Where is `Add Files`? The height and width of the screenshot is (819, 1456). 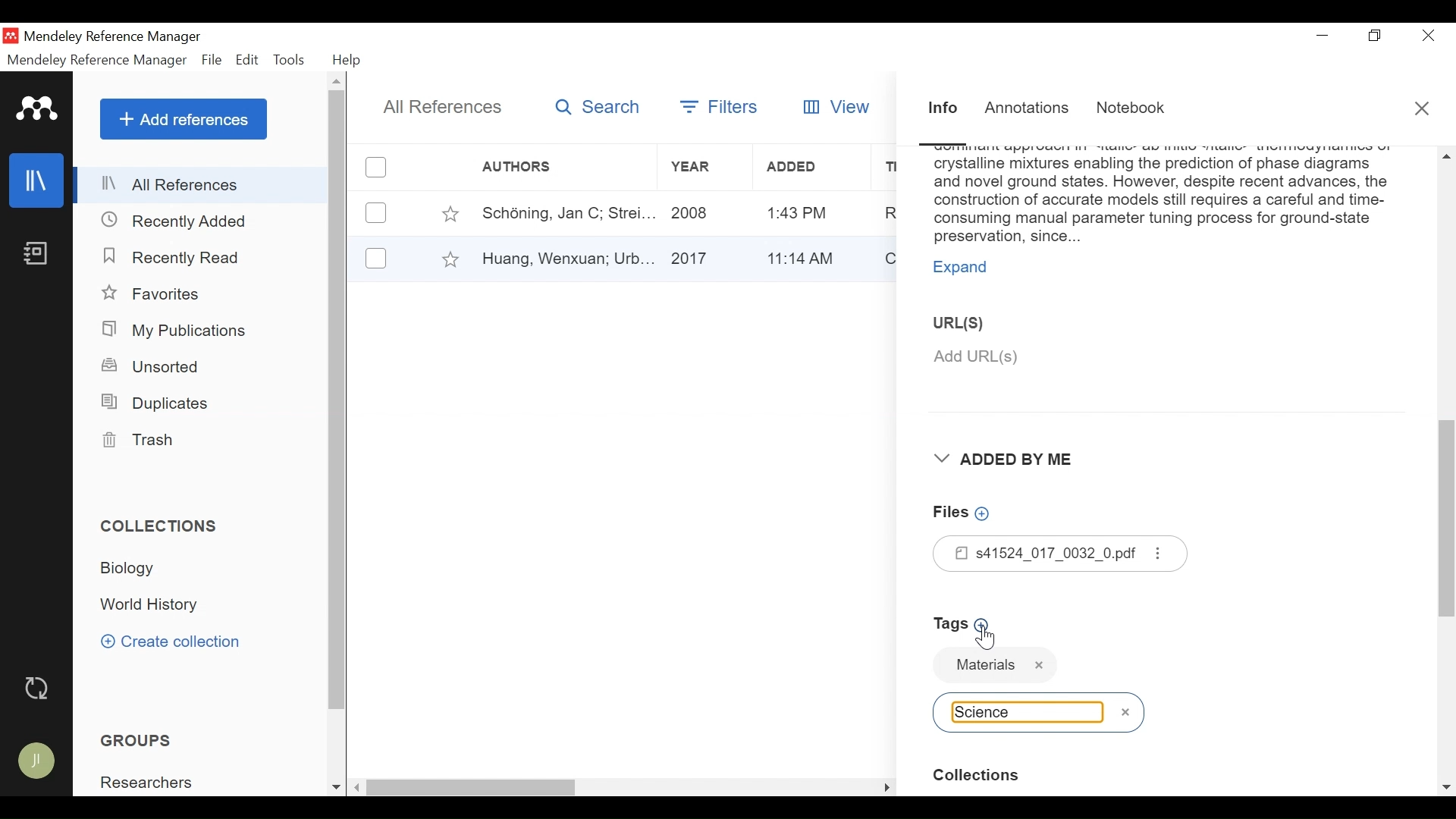
Add Files is located at coordinates (964, 513).